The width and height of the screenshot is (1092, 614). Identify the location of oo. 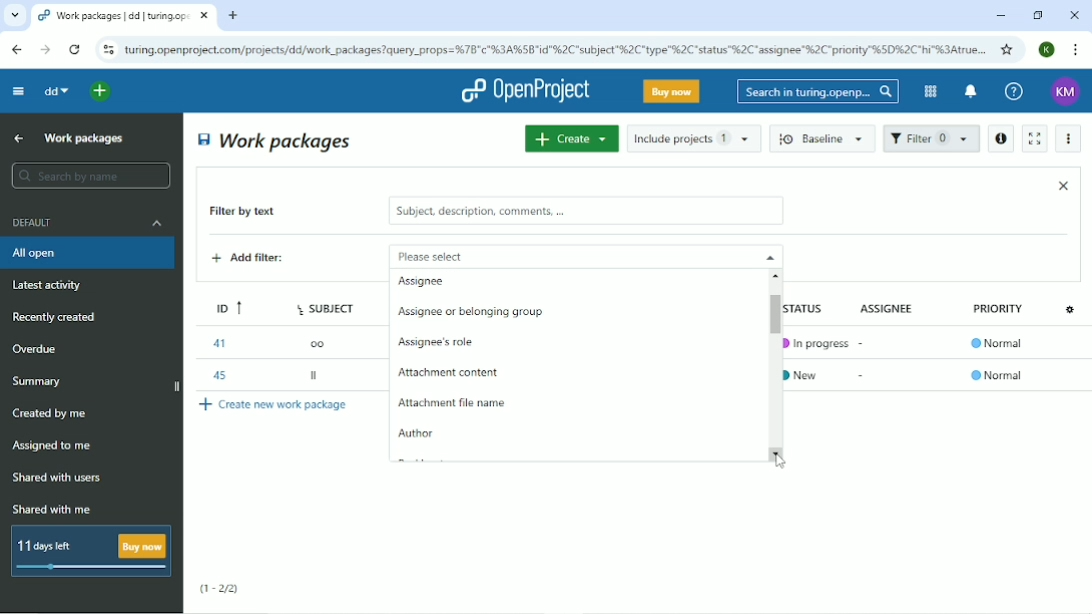
(323, 342).